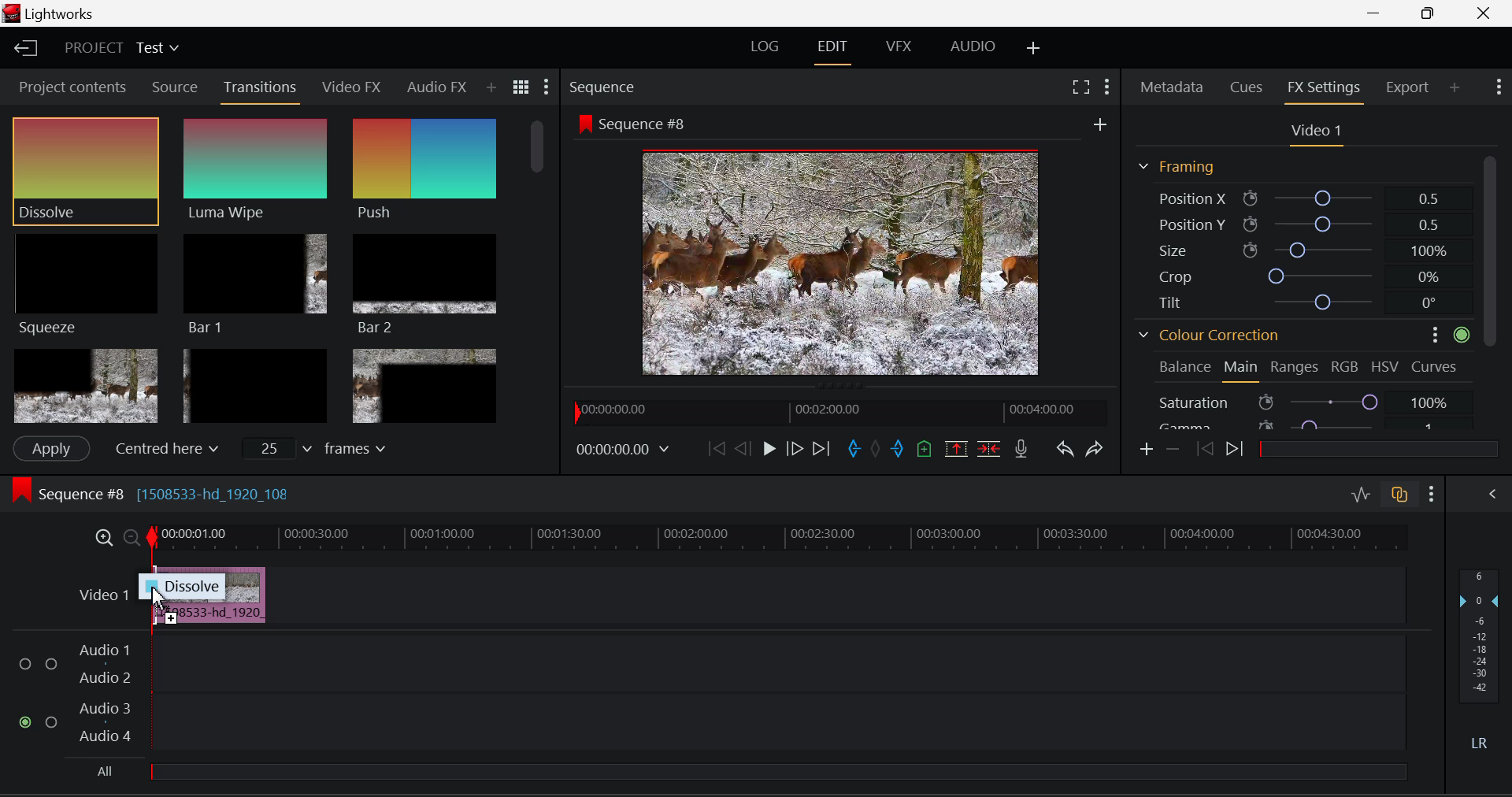 The width and height of the screenshot is (1512, 797). I want to click on Box 2, so click(254, 384).